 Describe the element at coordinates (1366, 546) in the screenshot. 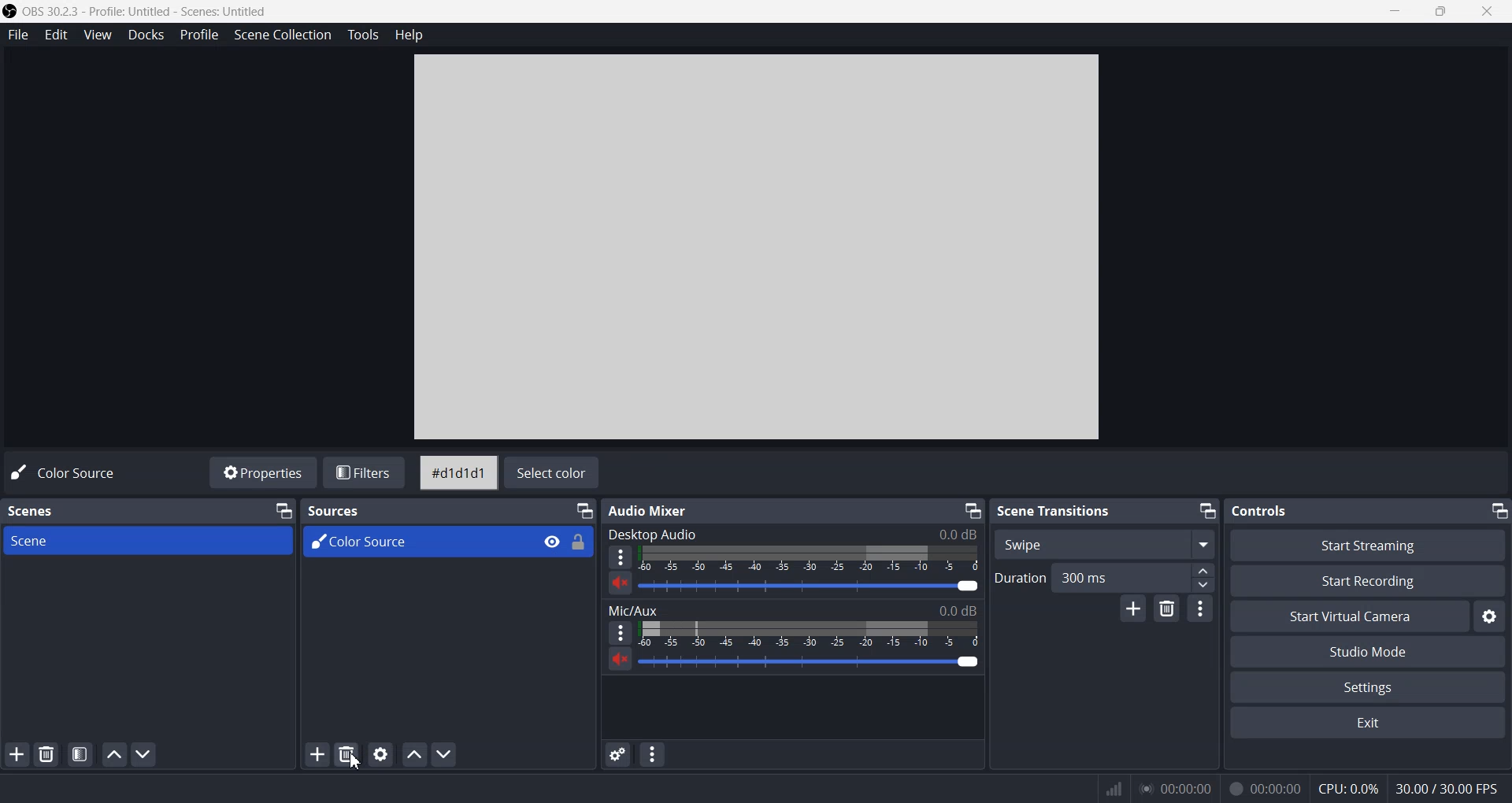

I see `Start Streaming` at that location.